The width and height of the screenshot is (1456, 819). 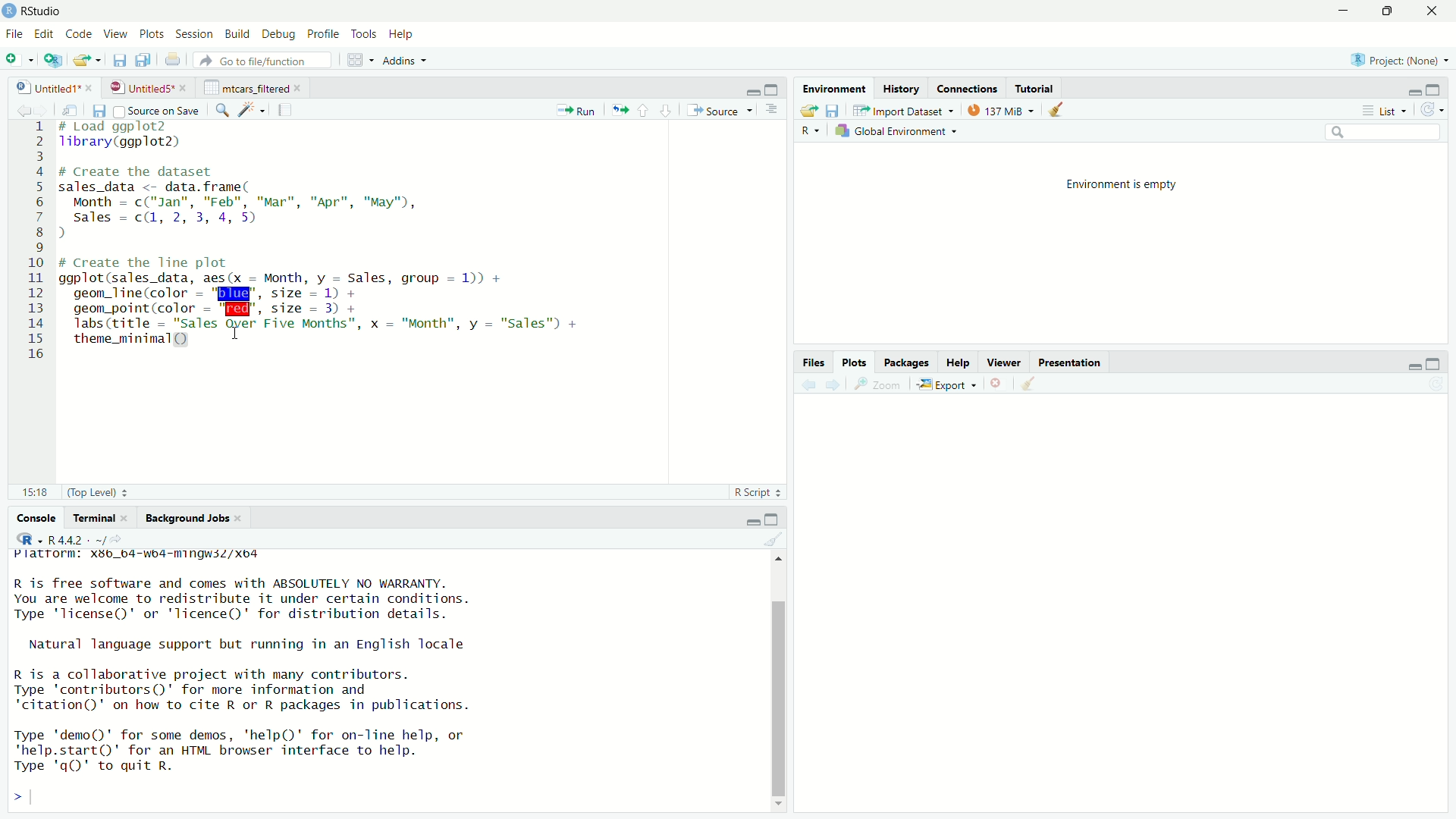 What do you see at coordinates (53, 60) in the screenshot?
I see `create a project` at bounding box center [53, 60].